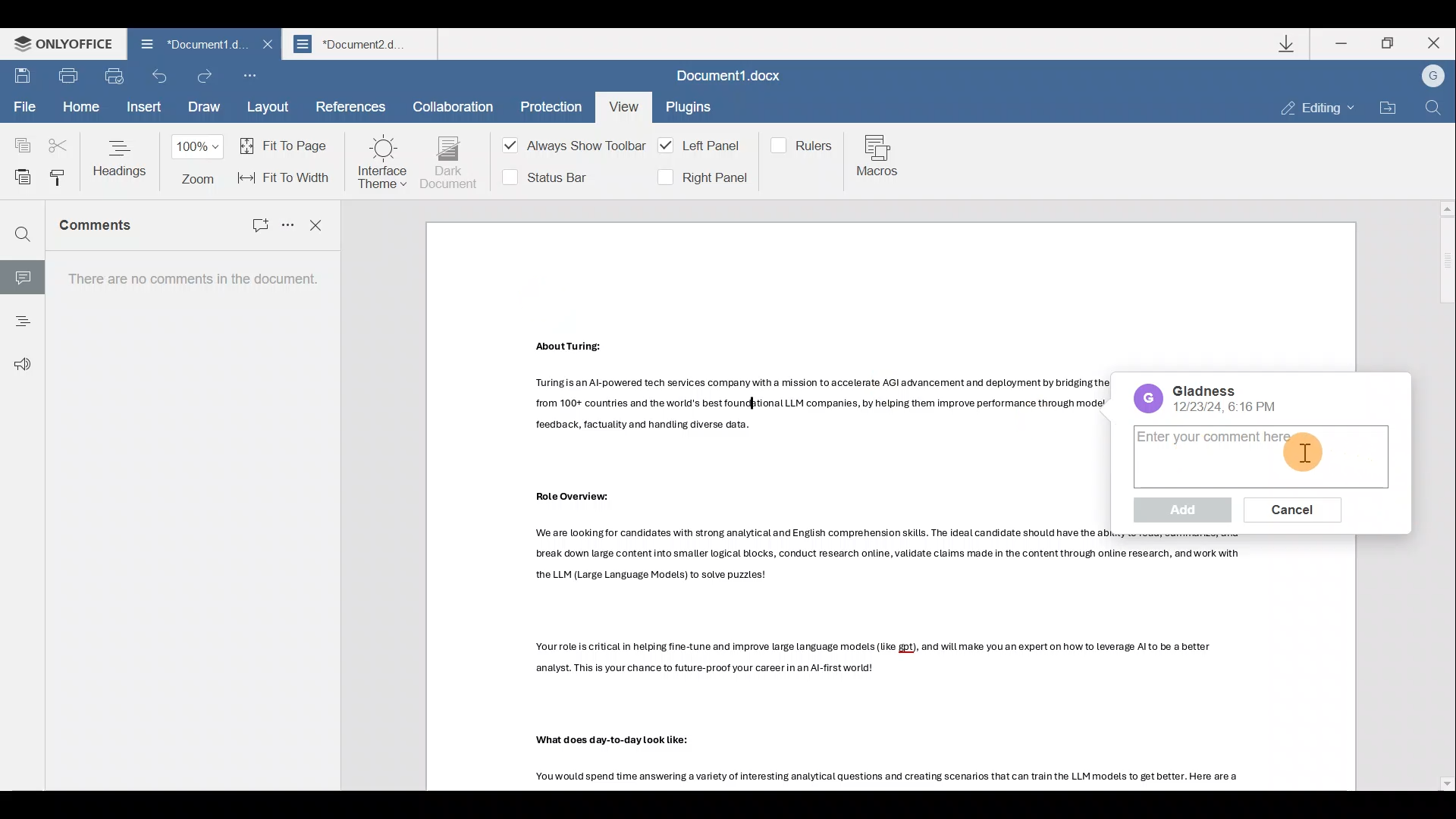 This screenshot has width=1456, height=819. What do you see at coordinates (622, 104) in the screenshot?
I see `View` at bounding box center [622, 104].